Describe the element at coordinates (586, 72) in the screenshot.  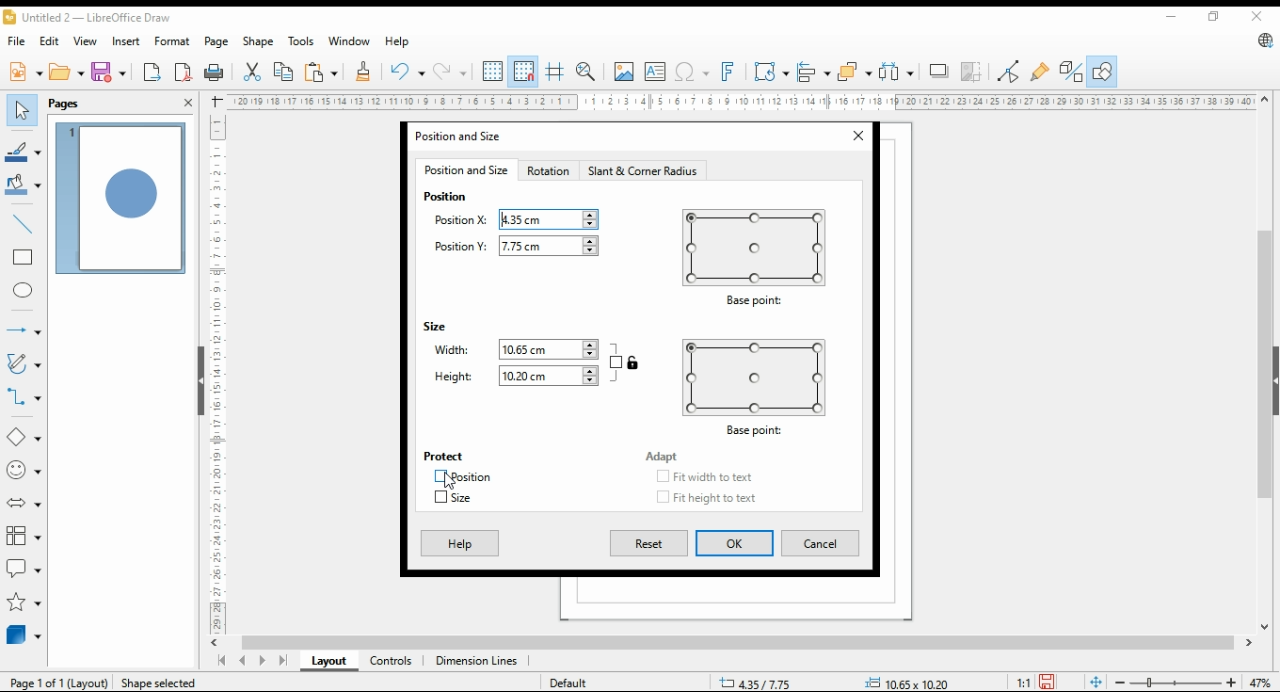
I see `zoom and pan` at that location.